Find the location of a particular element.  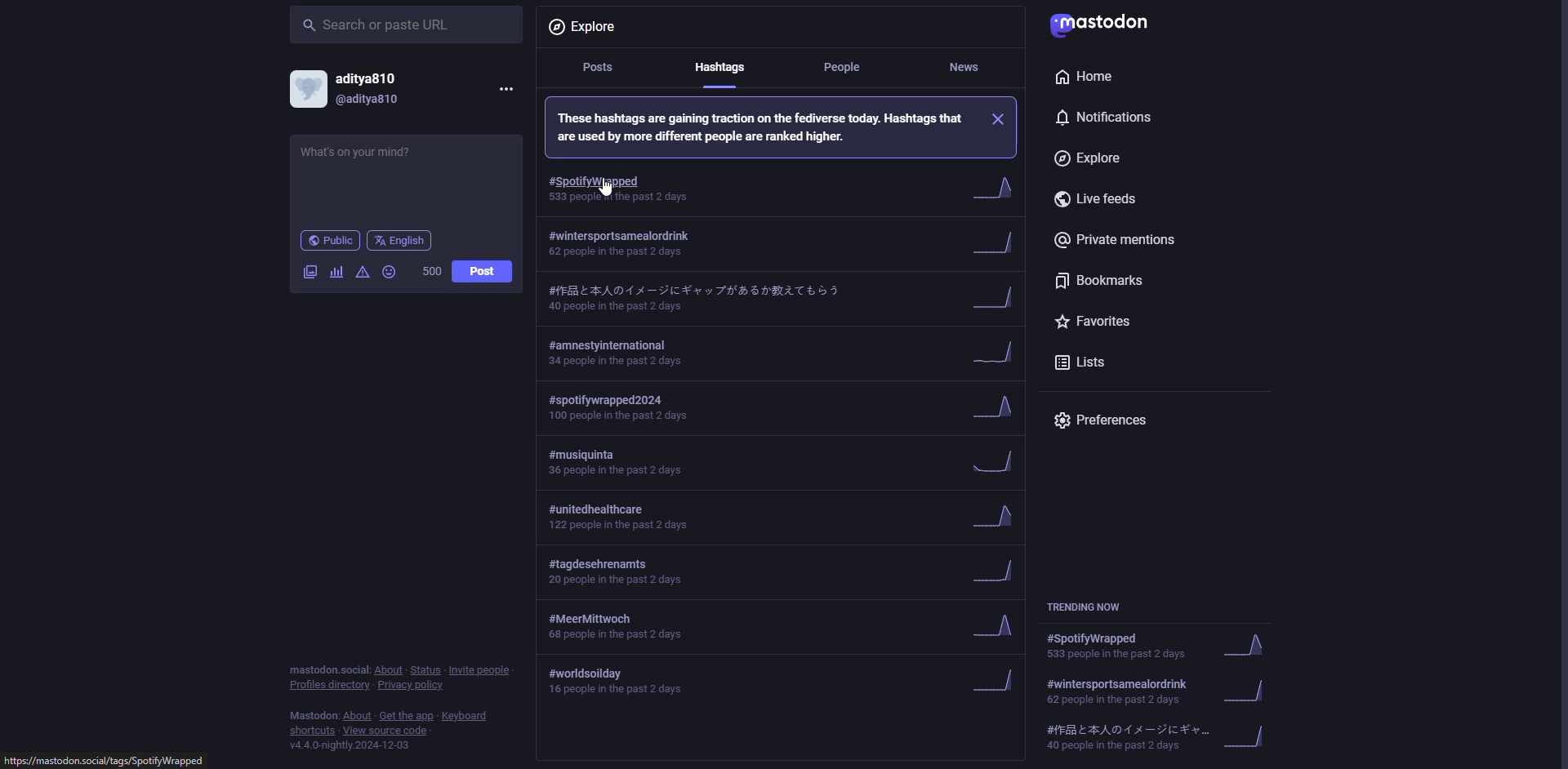

trend is located at coordinates (996, 685).